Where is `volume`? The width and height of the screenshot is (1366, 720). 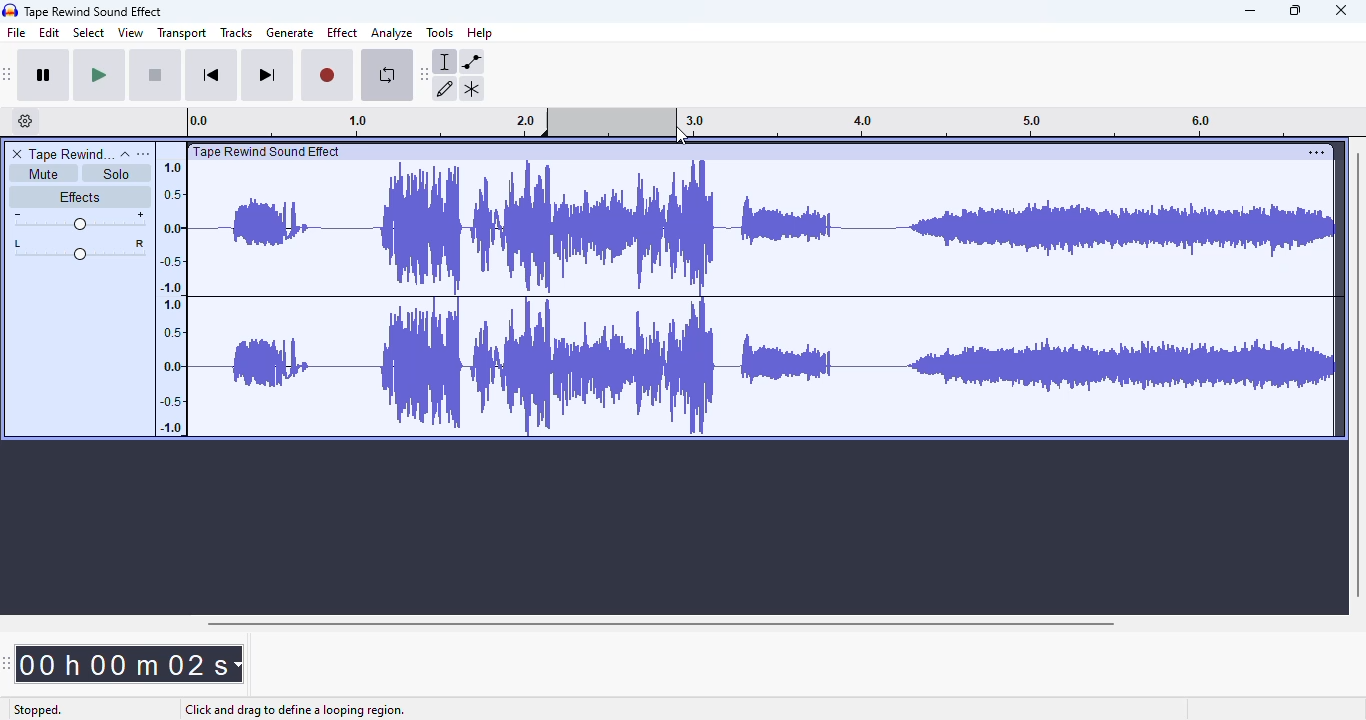 volume is located at coordinates (79, 222).